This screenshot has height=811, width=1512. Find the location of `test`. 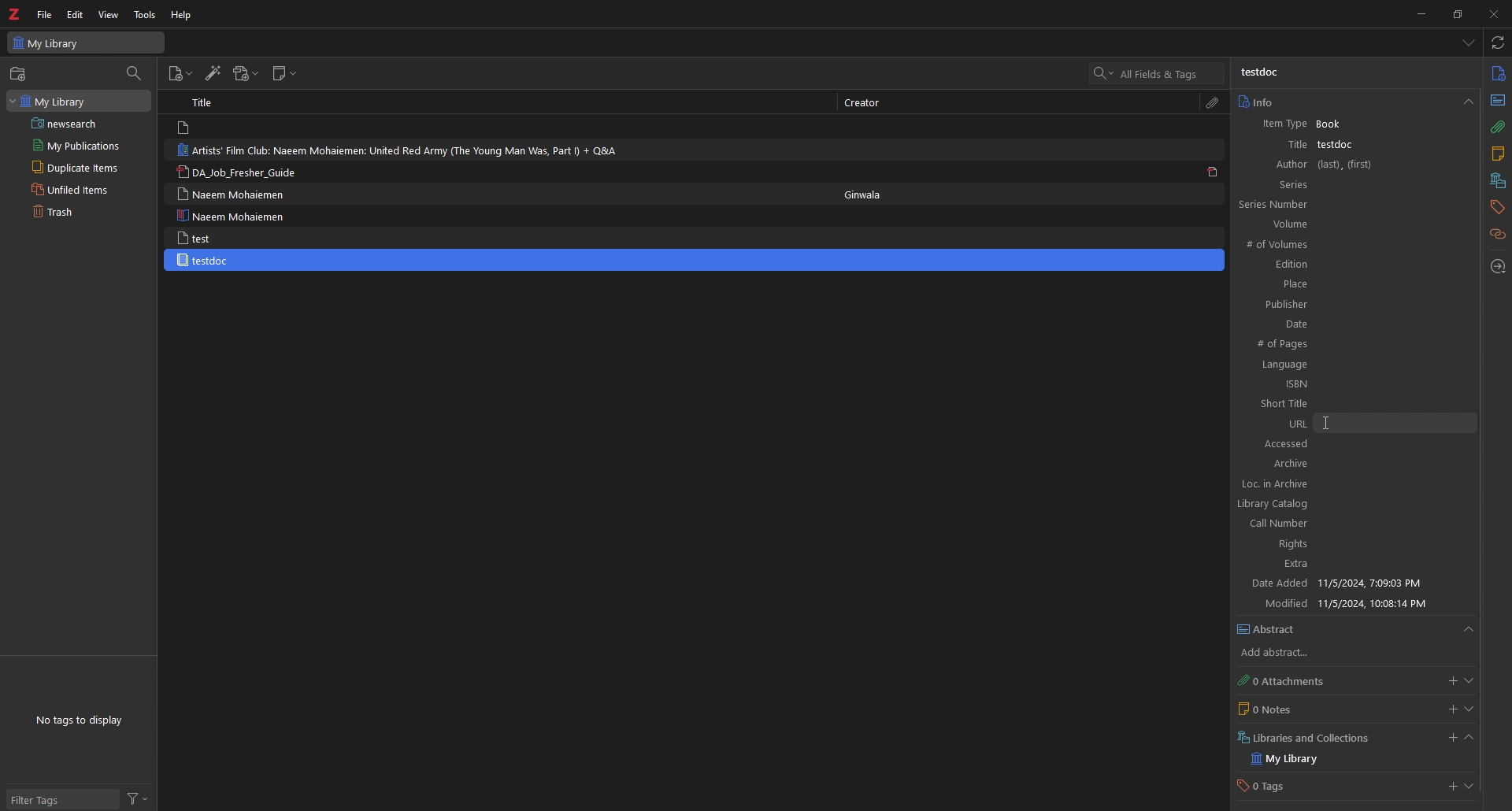

test is located at coordinates (198, 238).